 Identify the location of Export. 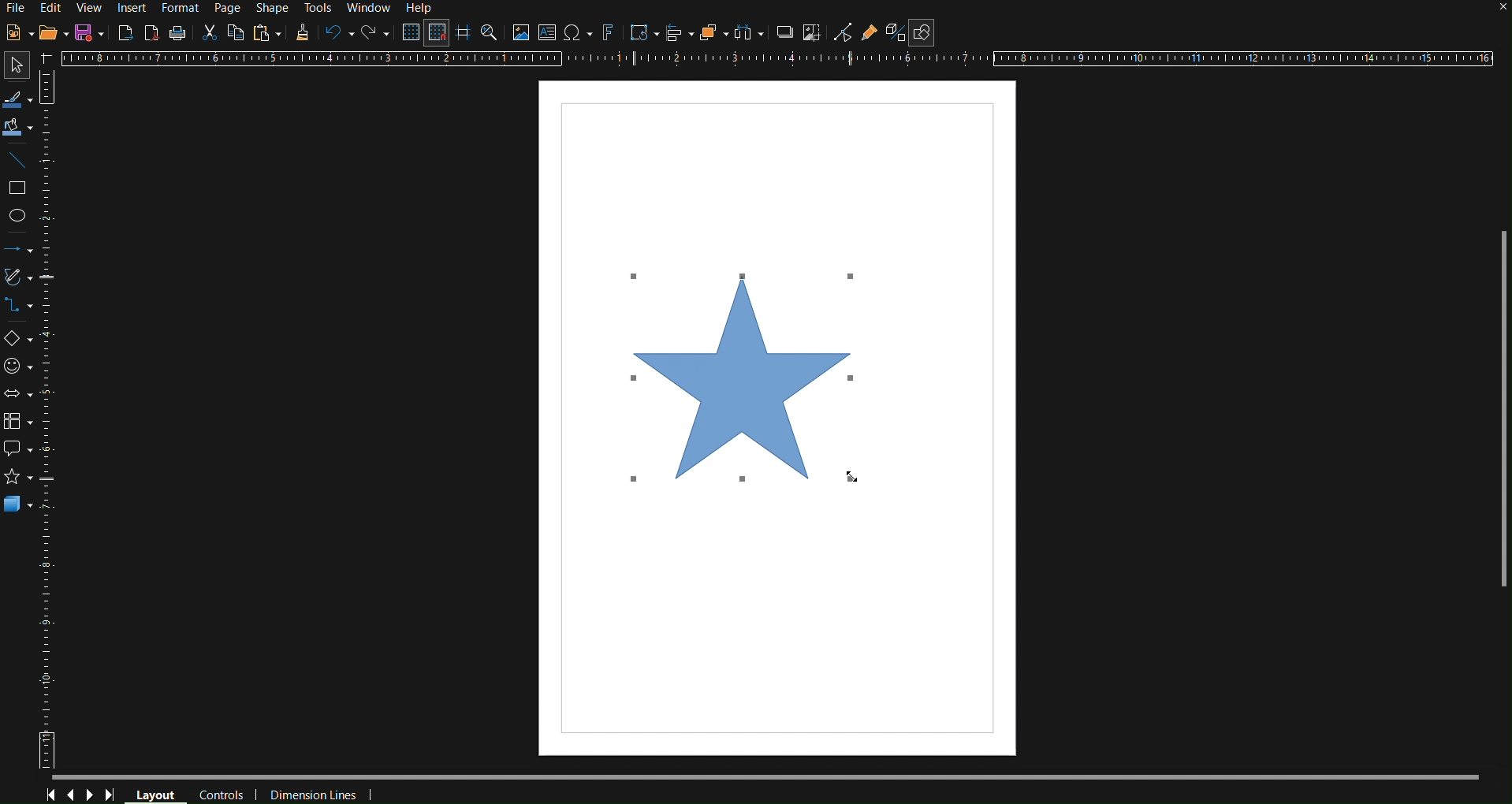
(125, 32).